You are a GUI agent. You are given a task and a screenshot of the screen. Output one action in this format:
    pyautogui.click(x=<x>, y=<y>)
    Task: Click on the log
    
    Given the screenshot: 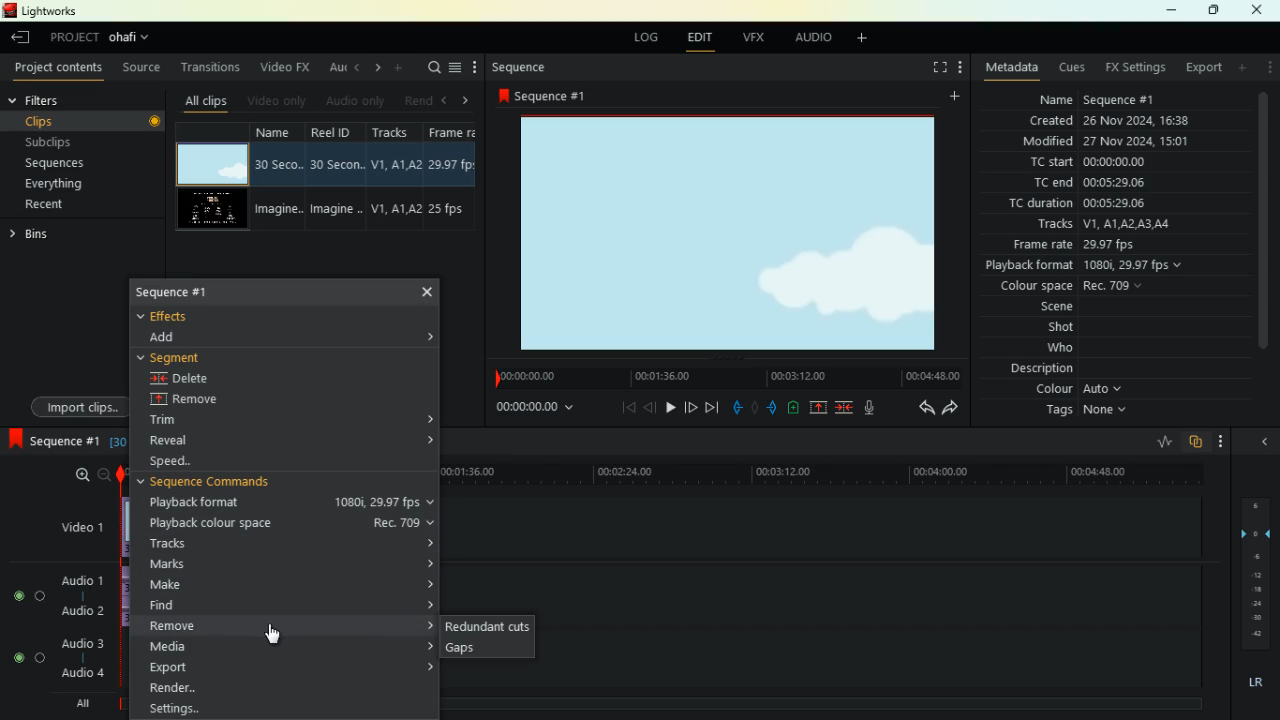 What is the action you would take?
    pyautogui.click(x=641, y=38)
    